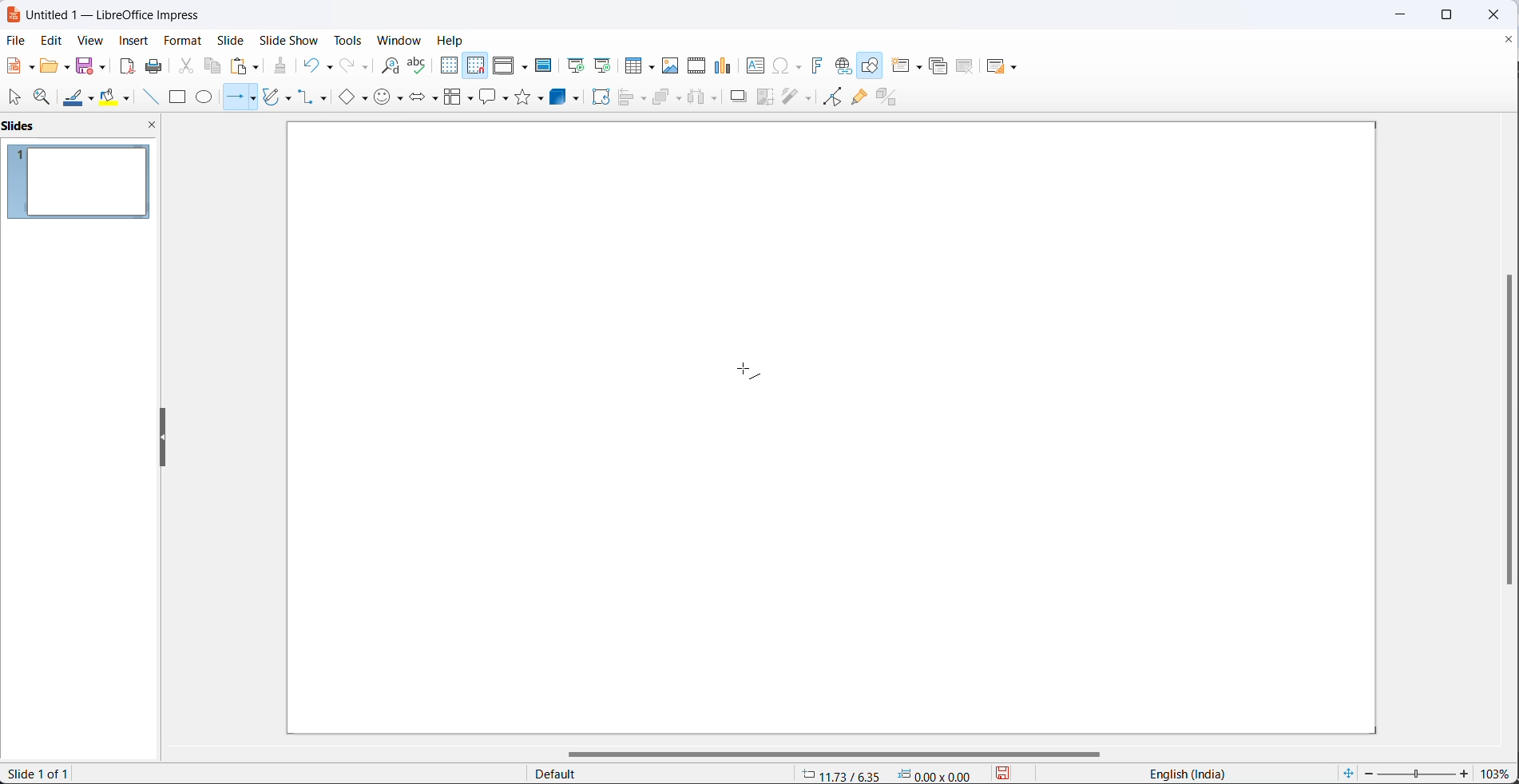  What do you see at coordinates (53, 65) in the screenshot?
I see `open options` at bounding box center [53, 65].